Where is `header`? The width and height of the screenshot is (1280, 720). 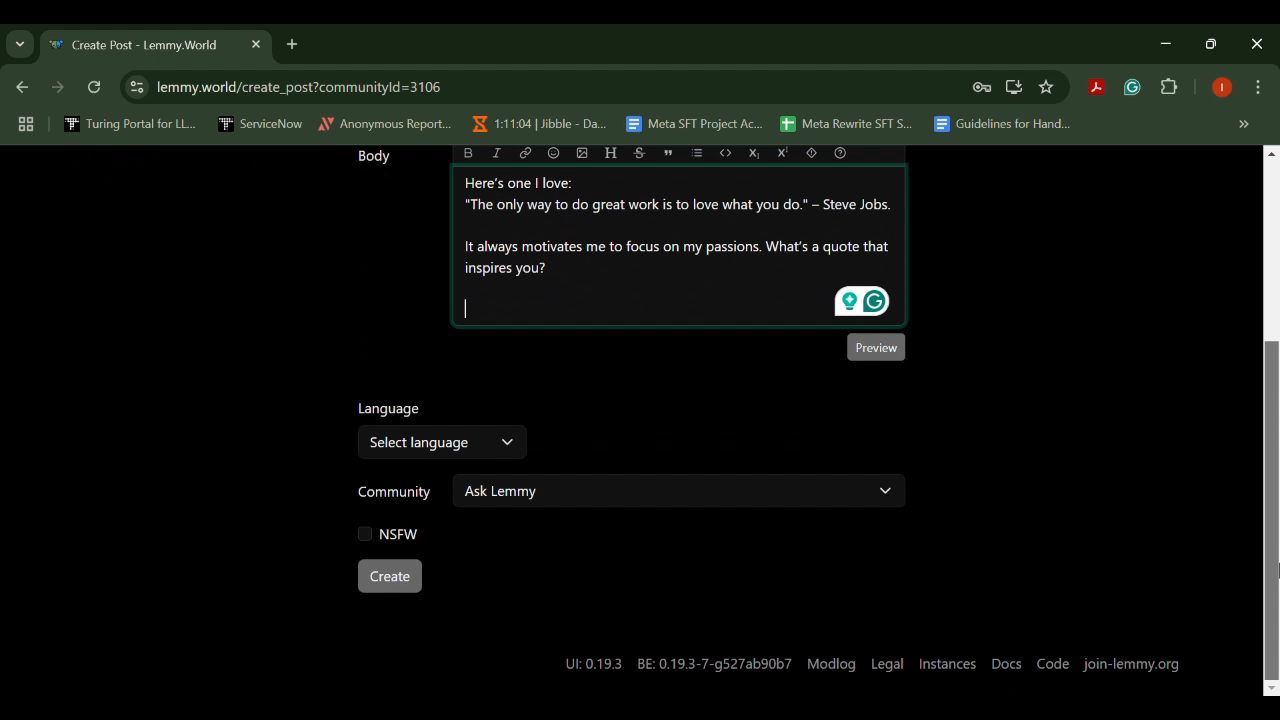 header is located at coordinates (610, 153).